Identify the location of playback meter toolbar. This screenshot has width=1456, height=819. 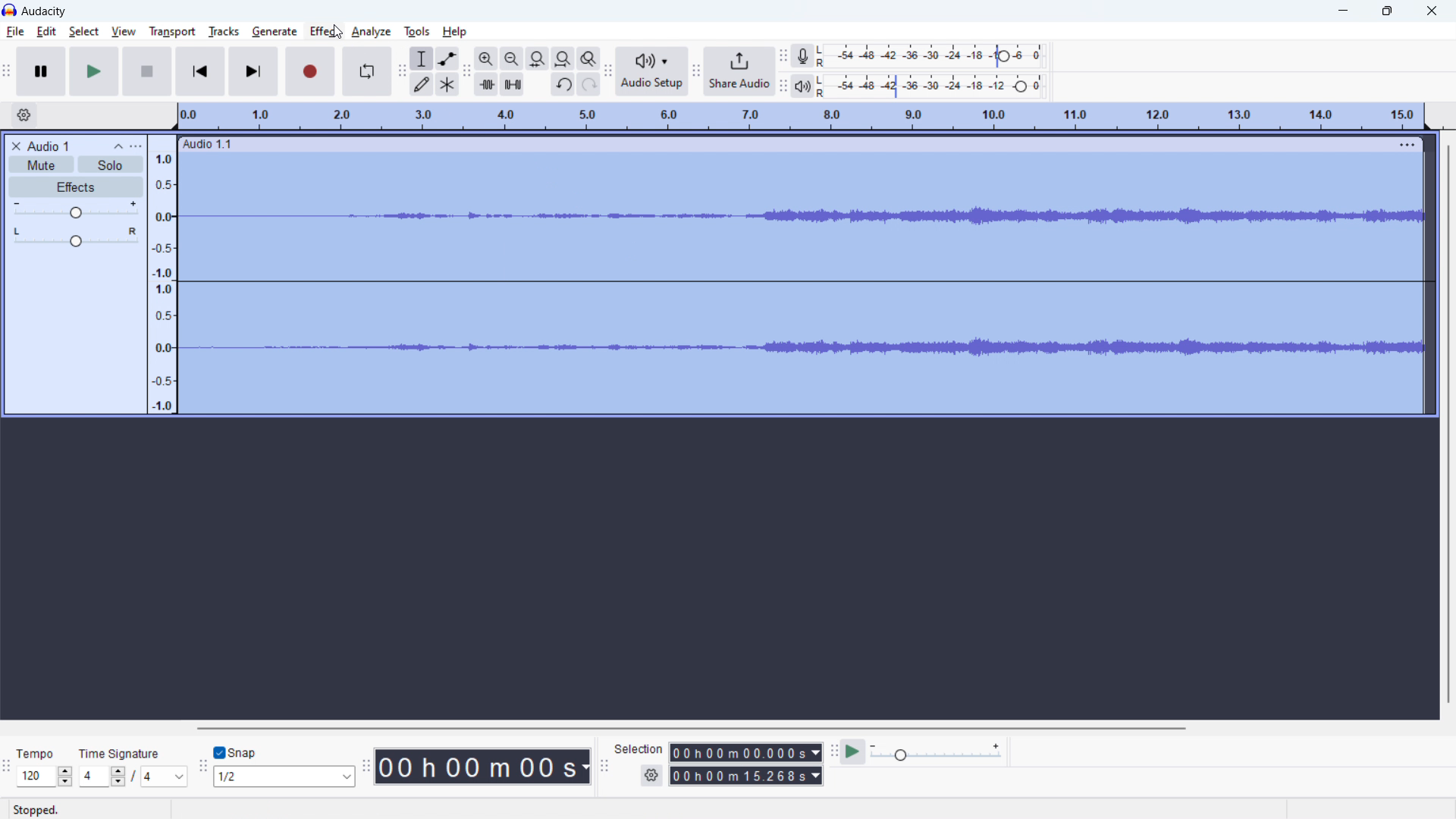
(783, 85).